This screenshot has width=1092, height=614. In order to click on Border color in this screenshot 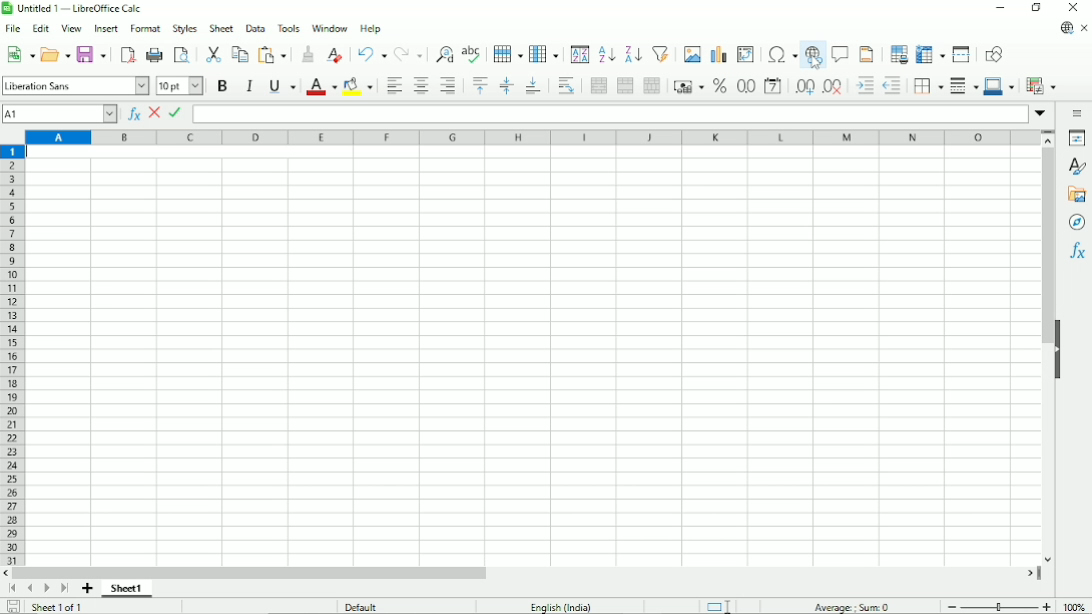, I will do `click(1000, 87)`.